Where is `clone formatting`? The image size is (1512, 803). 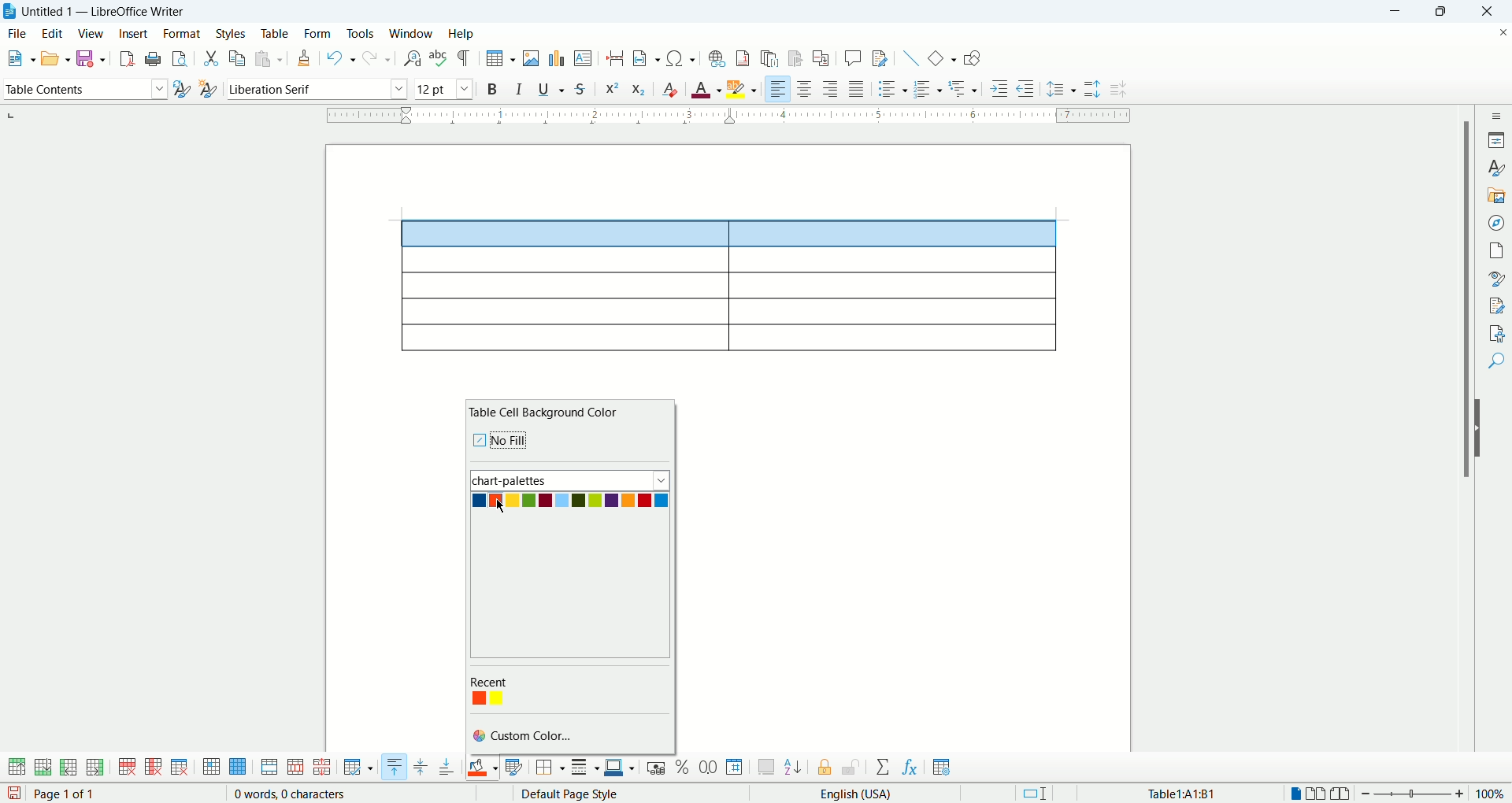
clone formatting is located at coordinates (304, 57).